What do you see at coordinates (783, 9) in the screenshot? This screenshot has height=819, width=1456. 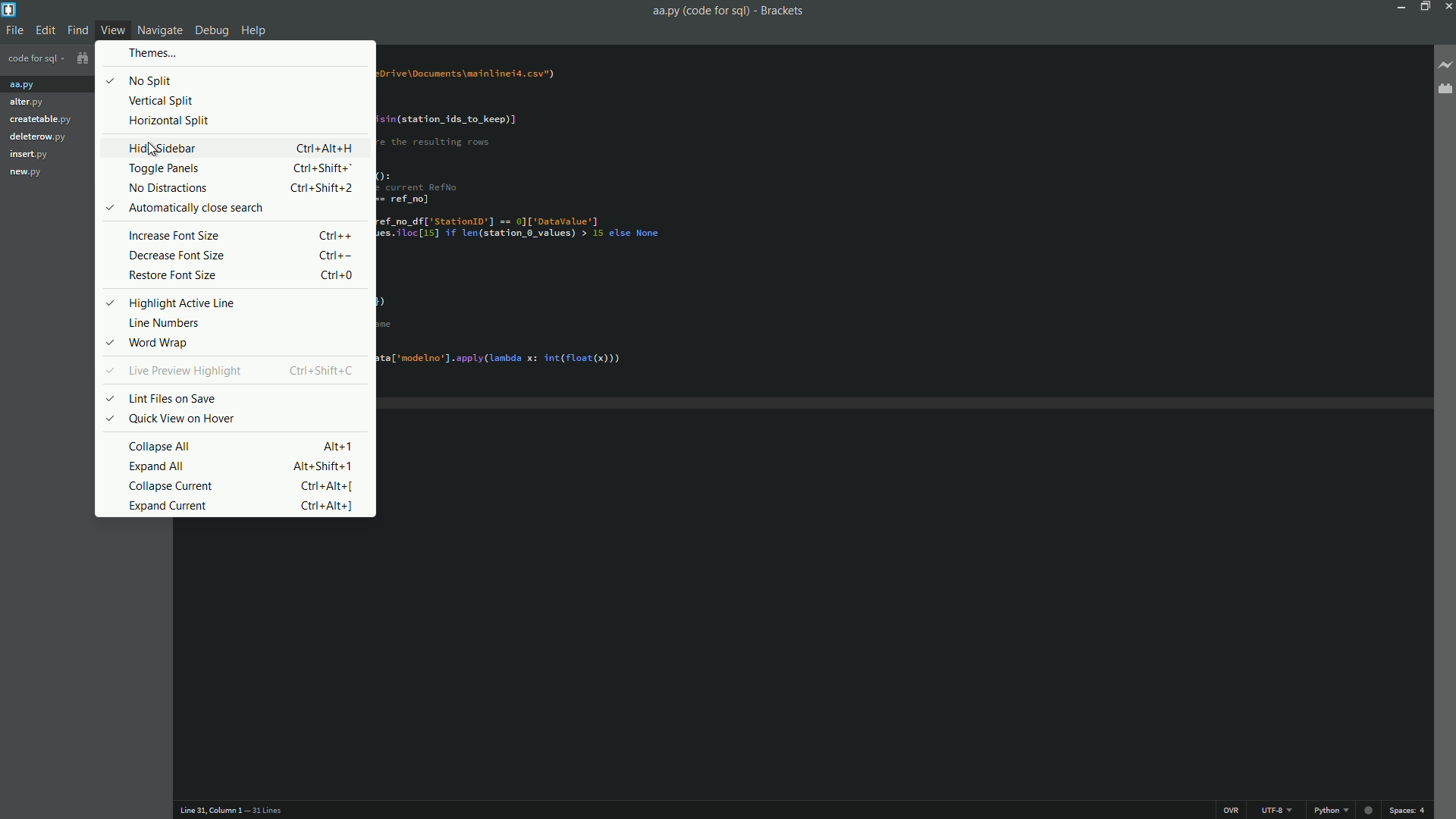 I see `app name` at bounding box center [783, 9].